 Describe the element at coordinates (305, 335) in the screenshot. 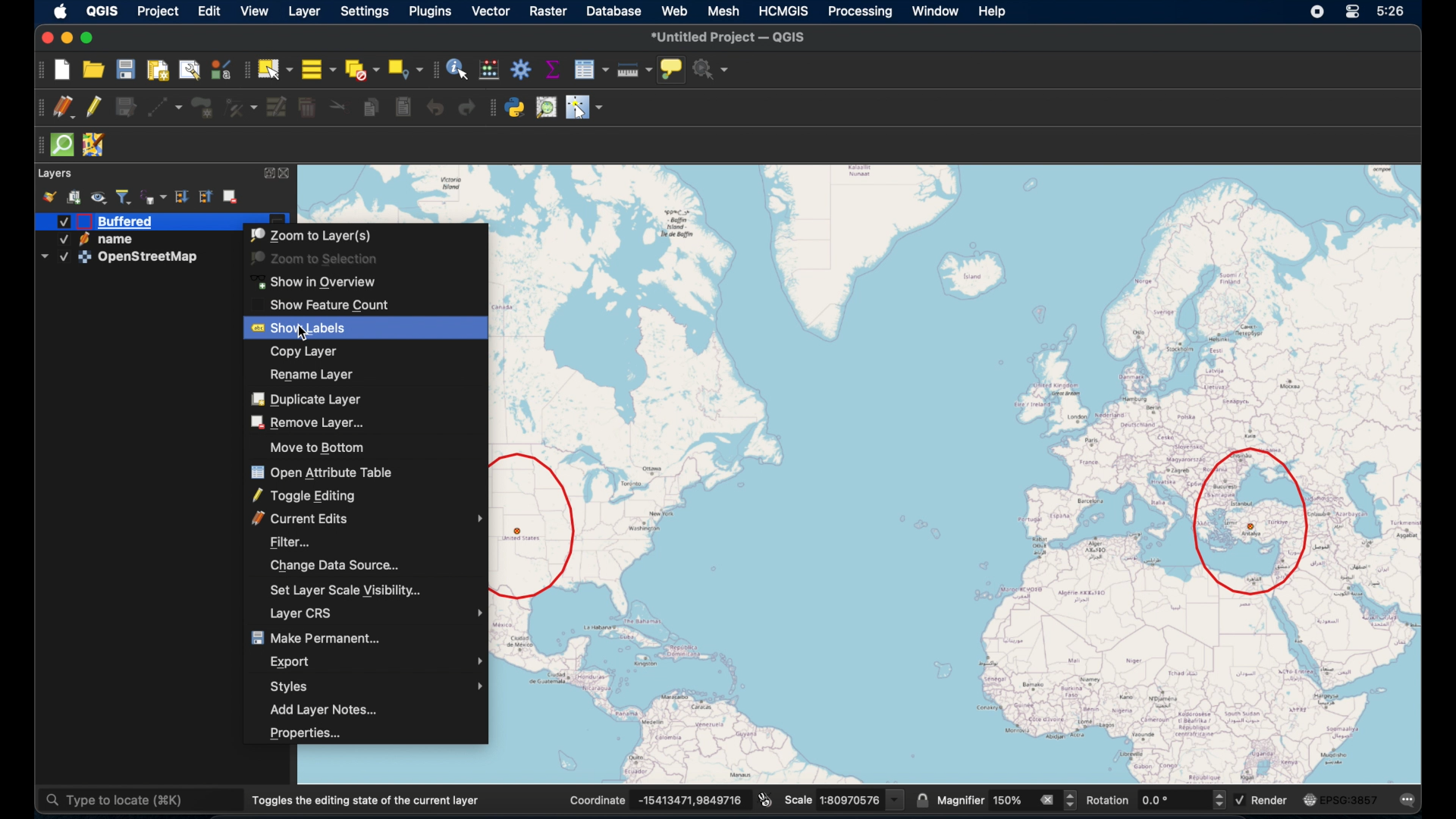

I see `cursor` at that location.